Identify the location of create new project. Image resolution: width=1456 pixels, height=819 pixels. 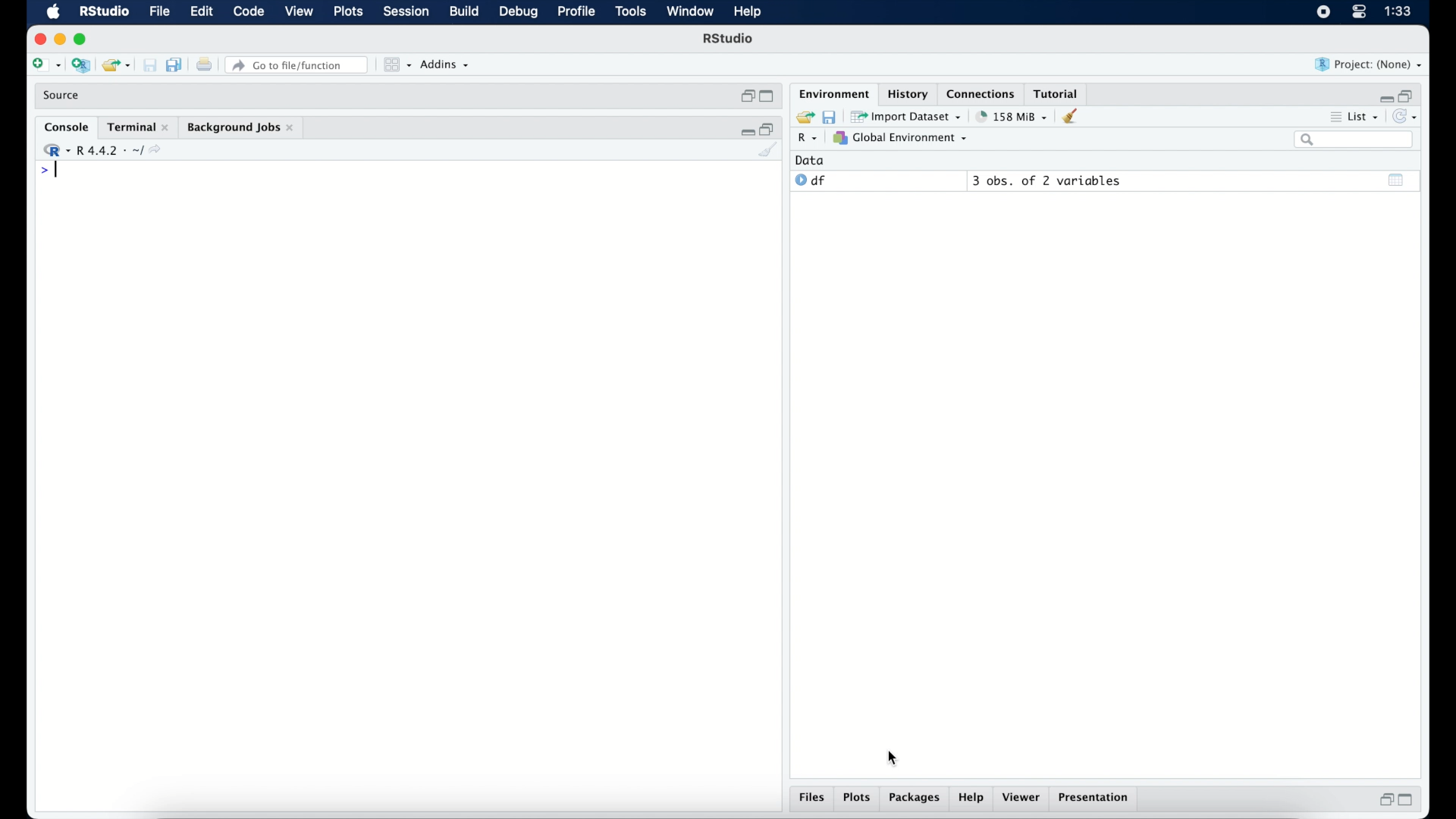
(80, 64).